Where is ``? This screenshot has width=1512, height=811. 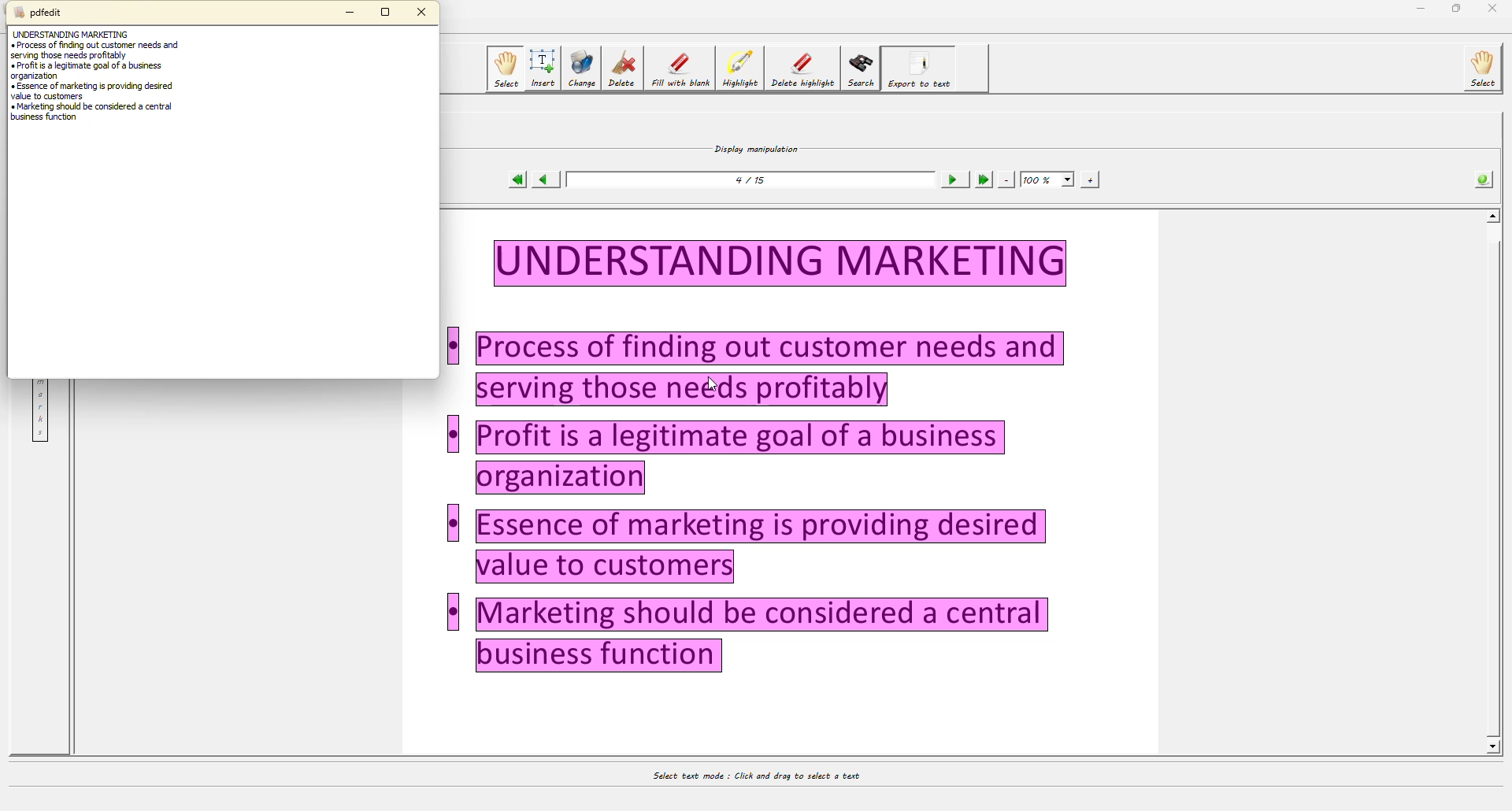
 is located at coordinates (453, 613).